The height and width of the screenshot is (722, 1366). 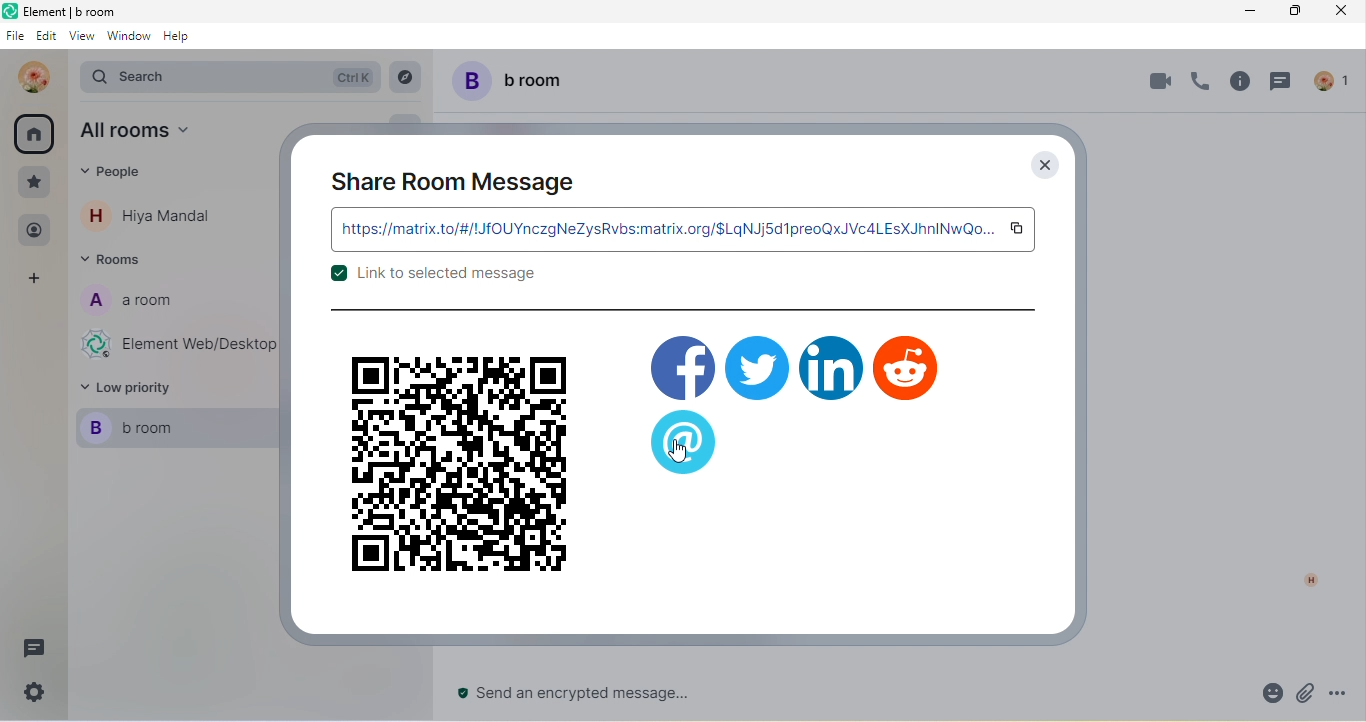 I want to click on copy link, so click(x=1018, y=229).